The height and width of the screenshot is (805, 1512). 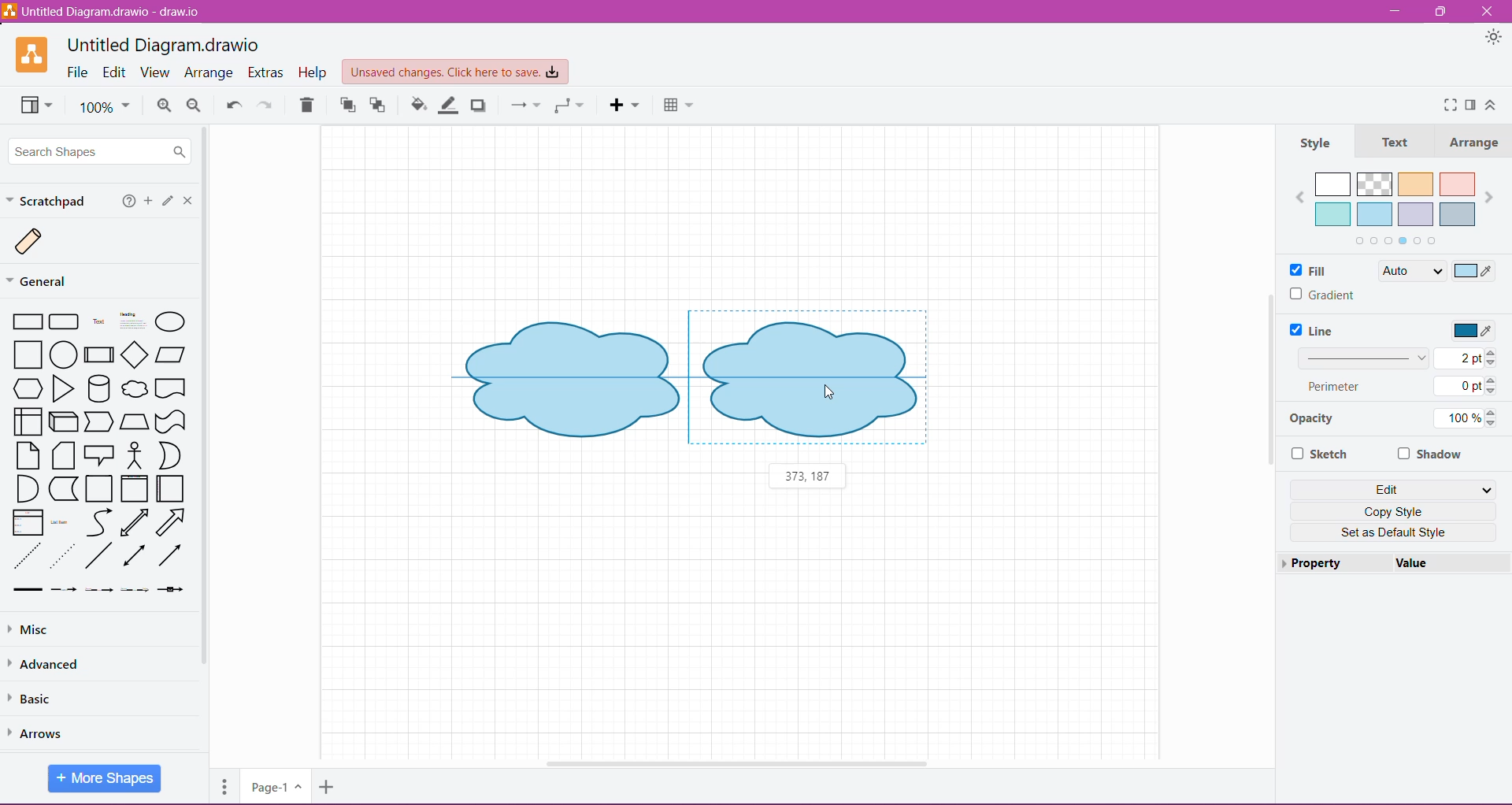 I want to click on Click or drag and drop shapes, so click(x=169, y=202).